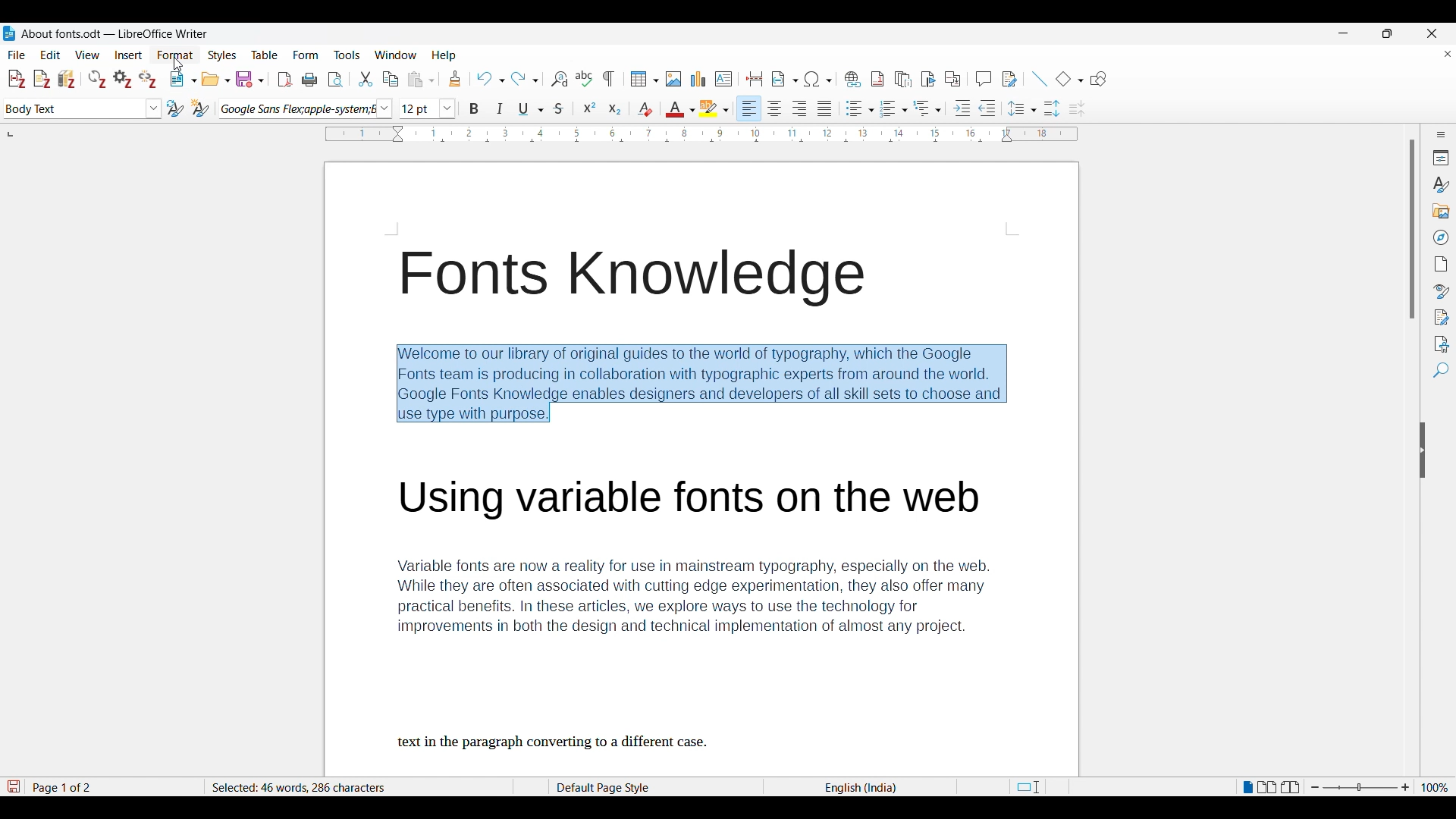 The height and width of the screenshot is (819, 1456). Describe the element at coordinates (894, 108) in the screenshot. I see `Ordered list` at that location.